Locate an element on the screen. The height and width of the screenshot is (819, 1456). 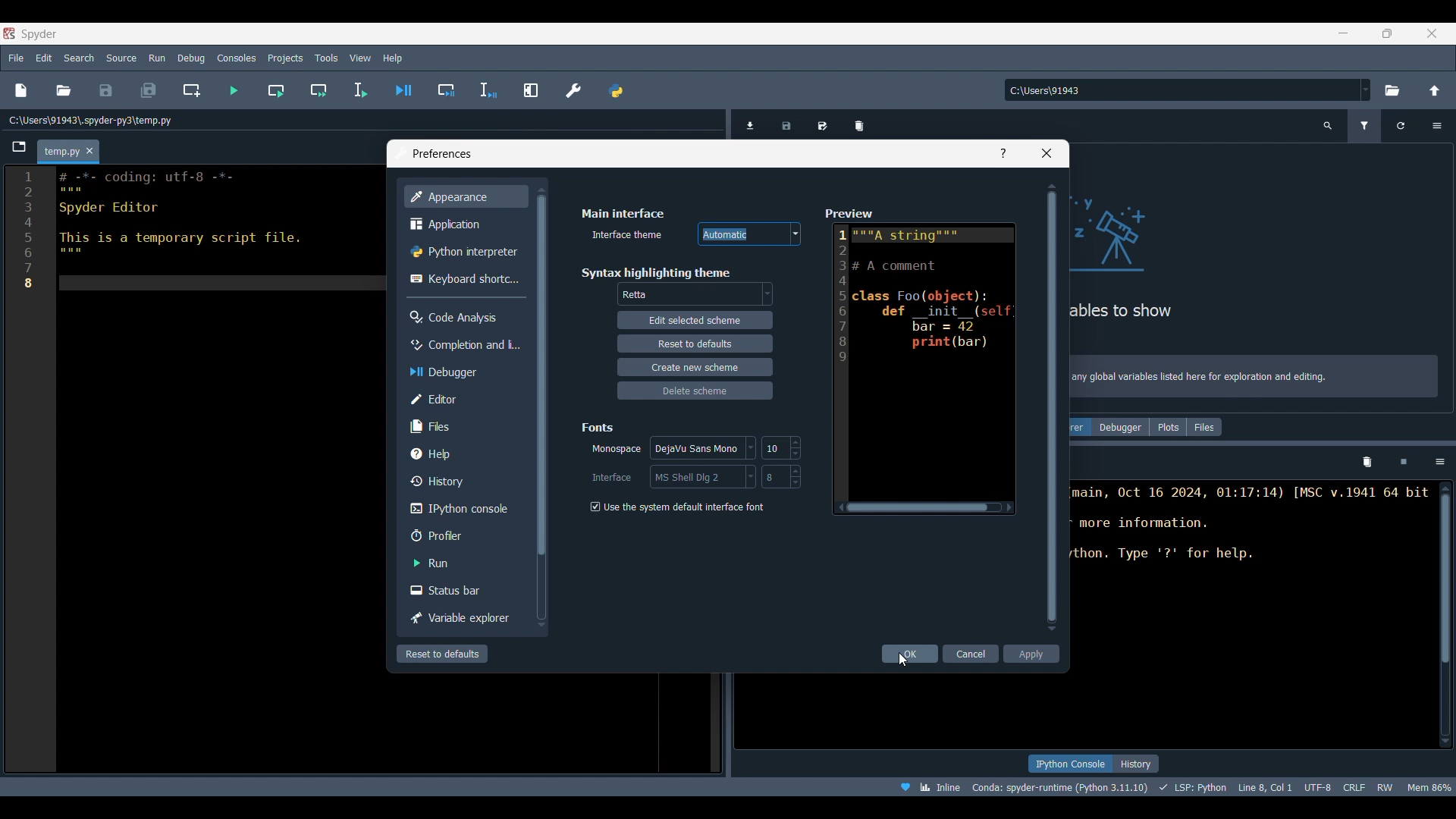
New is located at coordinates (20, 90).